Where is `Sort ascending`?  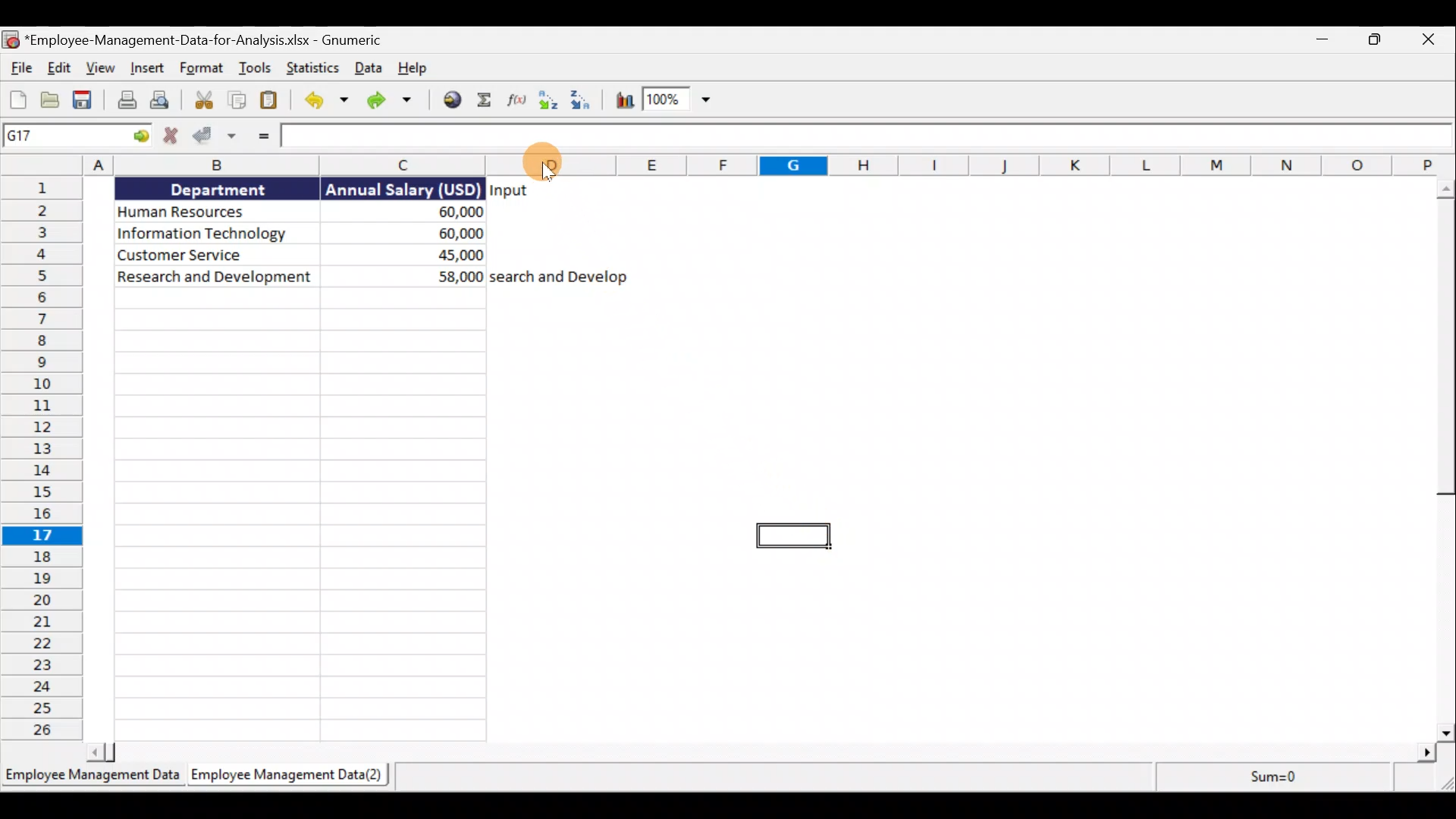 Sort ascending is located at coordinates (545, 102).